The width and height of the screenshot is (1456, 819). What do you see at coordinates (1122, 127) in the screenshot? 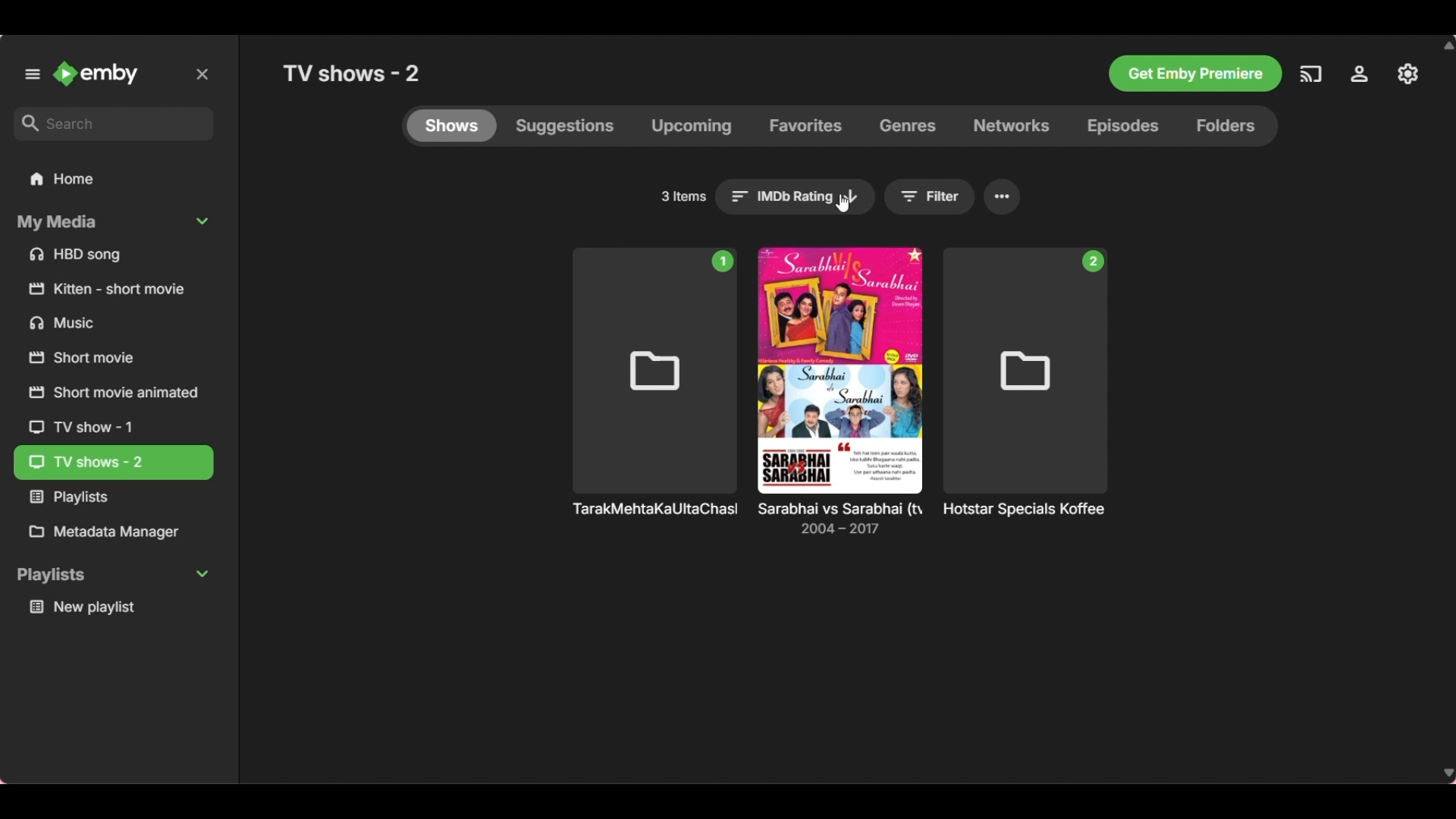
I see `Episodes` at bounding box center [1122, 127].